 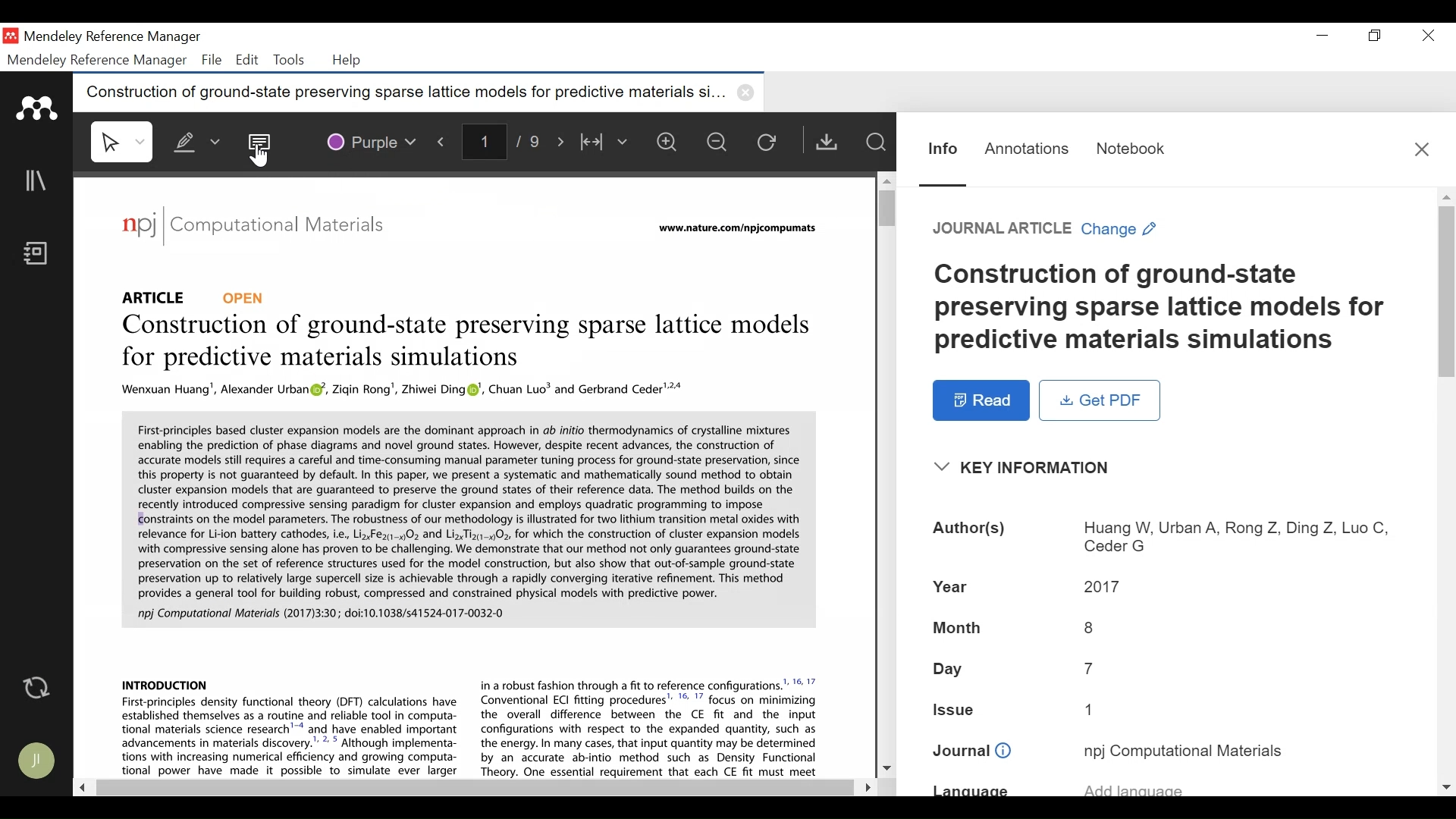 What do you see at coordinates (1167, 751) in the screenshot?
I see `Journal` at bounding box center [1167, 751].